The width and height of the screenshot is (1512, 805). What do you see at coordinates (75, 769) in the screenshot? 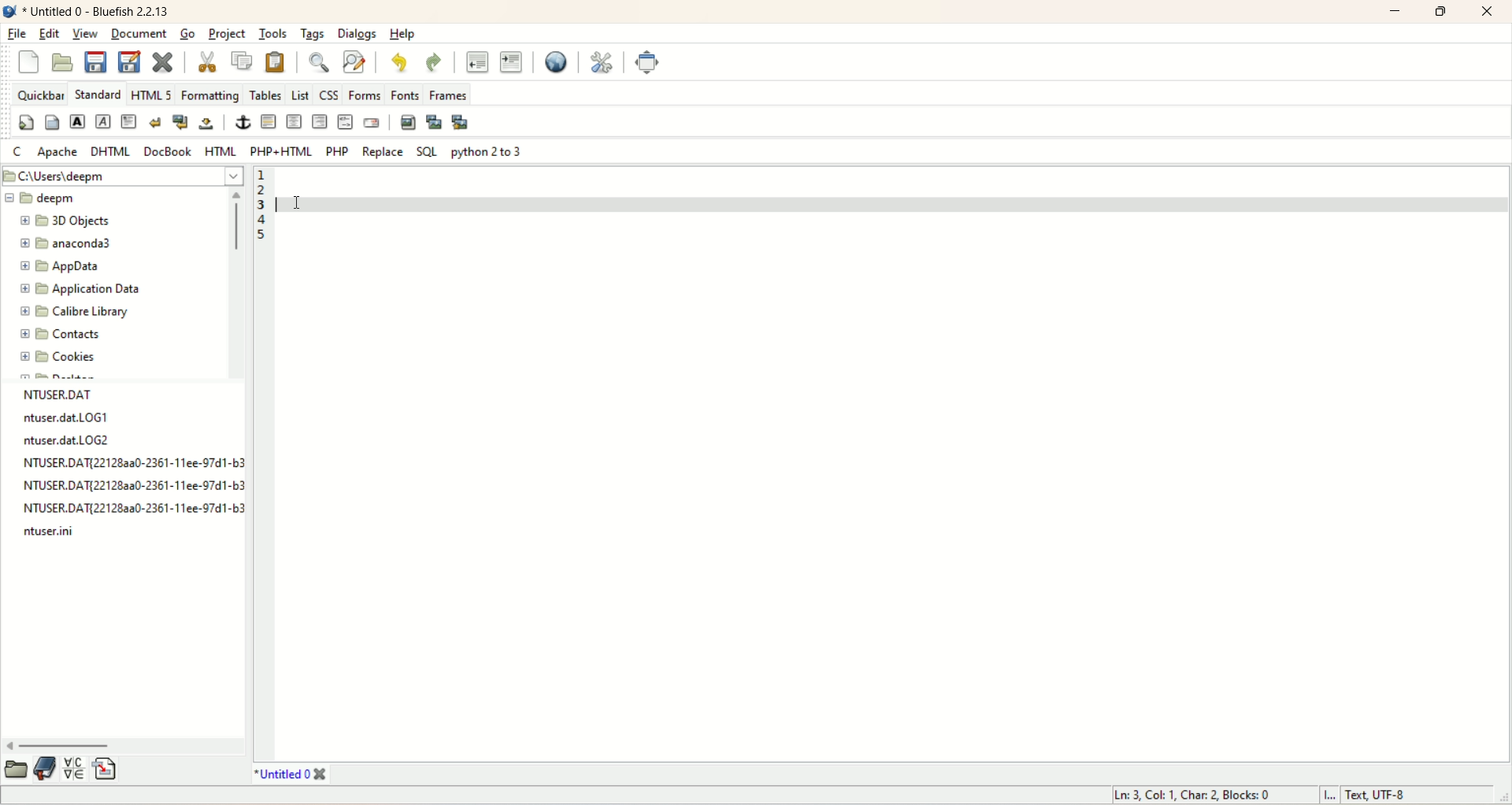
I see `insert special character` at bounding box center [75, 769].